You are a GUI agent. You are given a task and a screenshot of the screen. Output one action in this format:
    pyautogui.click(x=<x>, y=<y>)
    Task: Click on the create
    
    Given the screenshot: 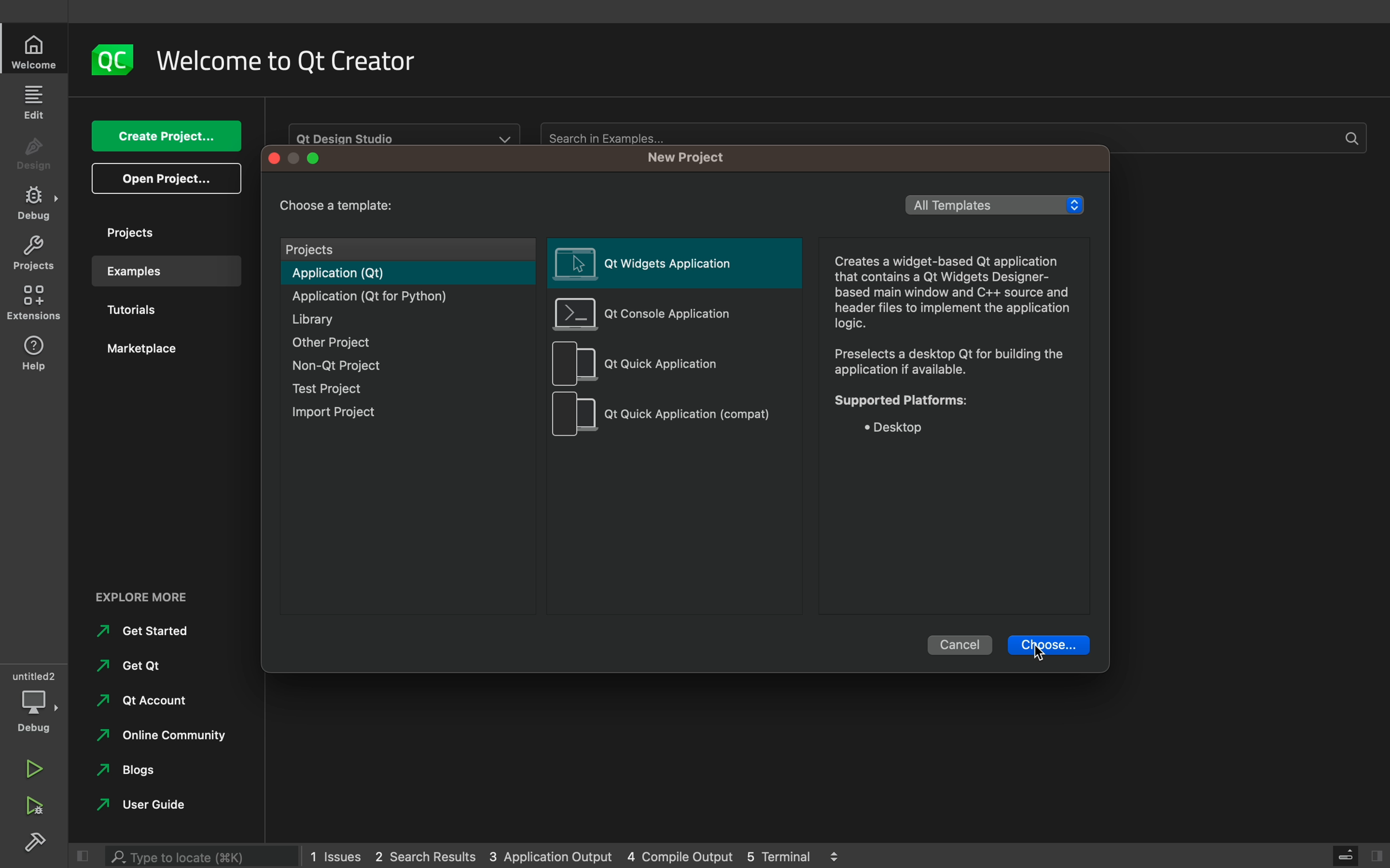 What is the action you would take?
    pyautogui.click(x=165, y=137)
    